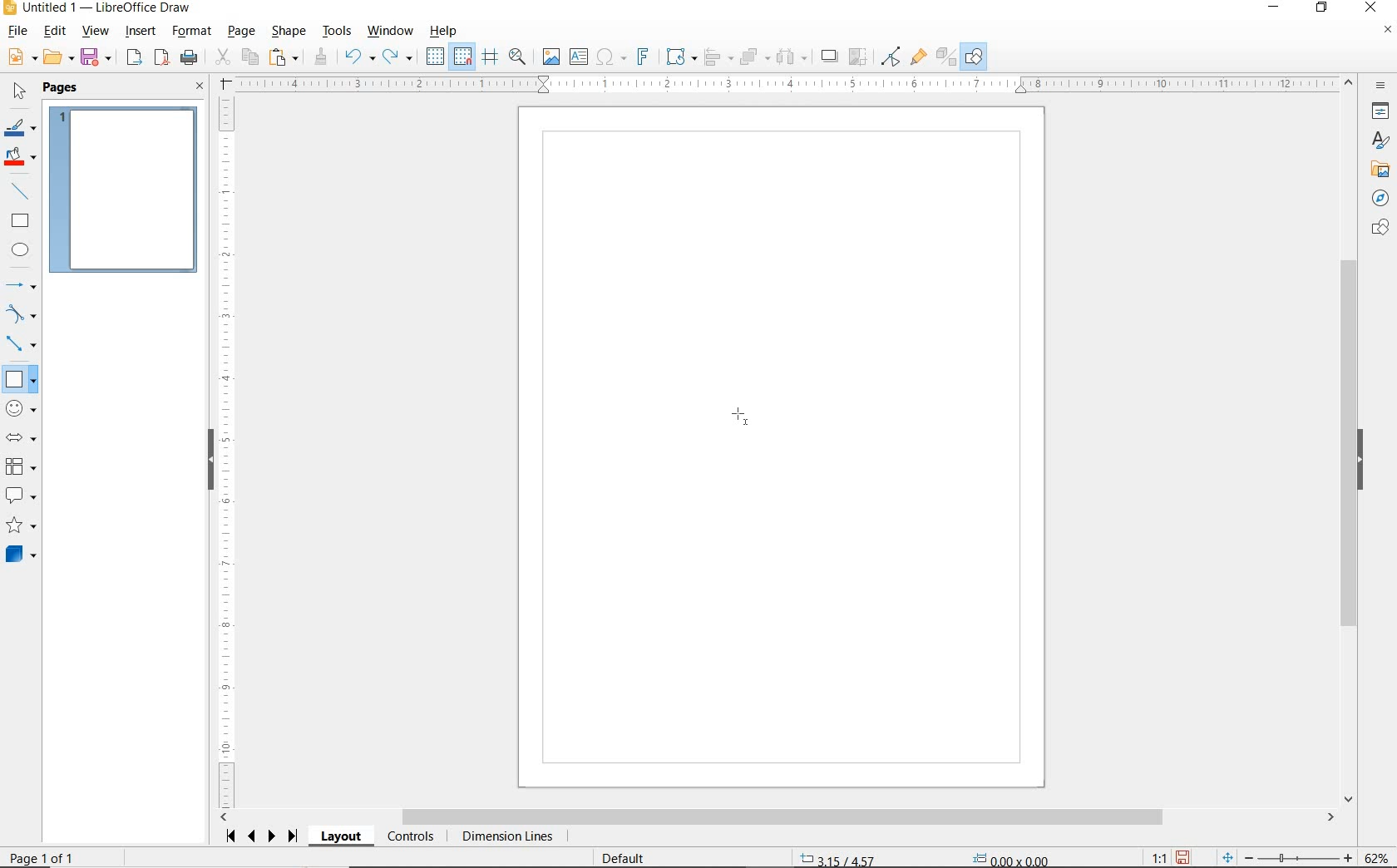 The height and width of the screenshot is (868, 1397). I want to click on STARS AND BANNERS, so click(21, 526).